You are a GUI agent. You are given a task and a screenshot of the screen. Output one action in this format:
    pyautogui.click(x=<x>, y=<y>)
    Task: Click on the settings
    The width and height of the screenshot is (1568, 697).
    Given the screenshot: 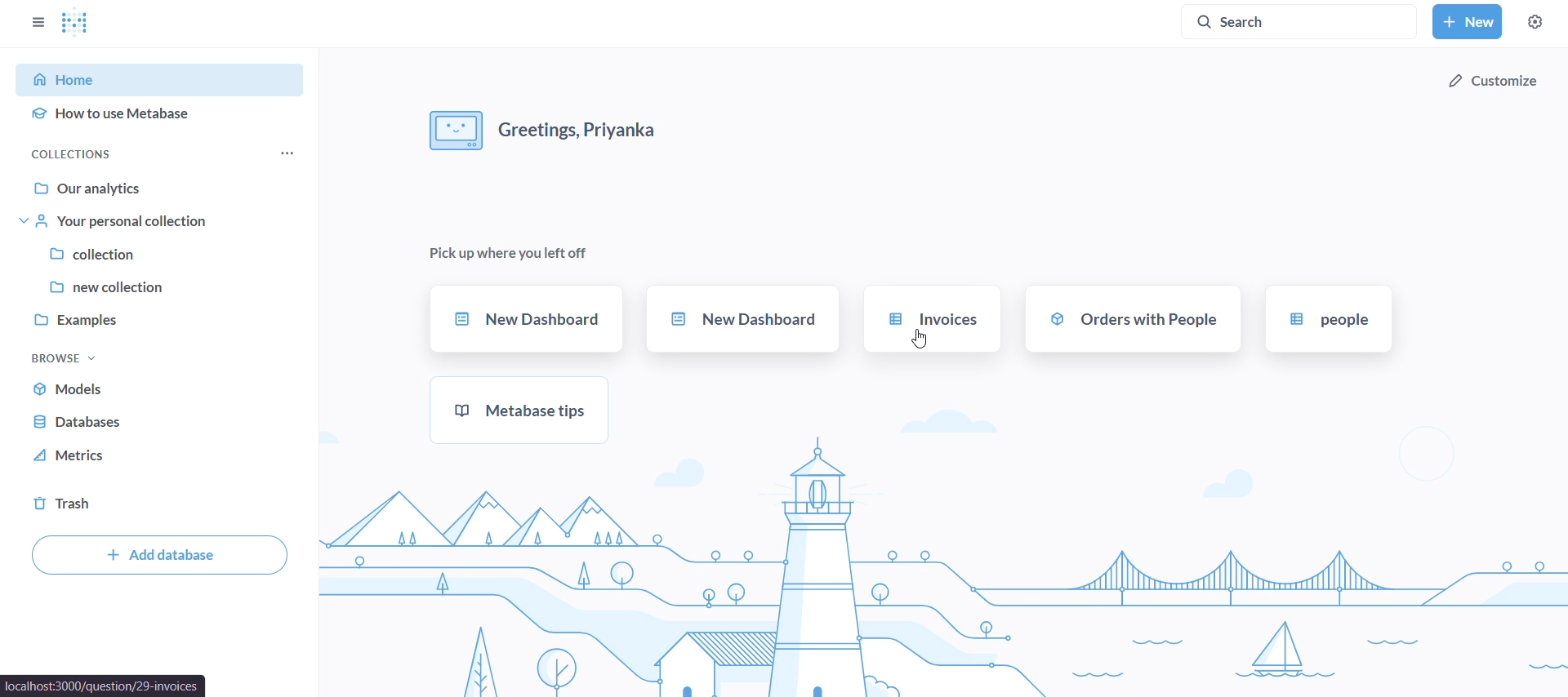 What is the action you would take?
    pyautogui.click(x=1540, y=20)
    